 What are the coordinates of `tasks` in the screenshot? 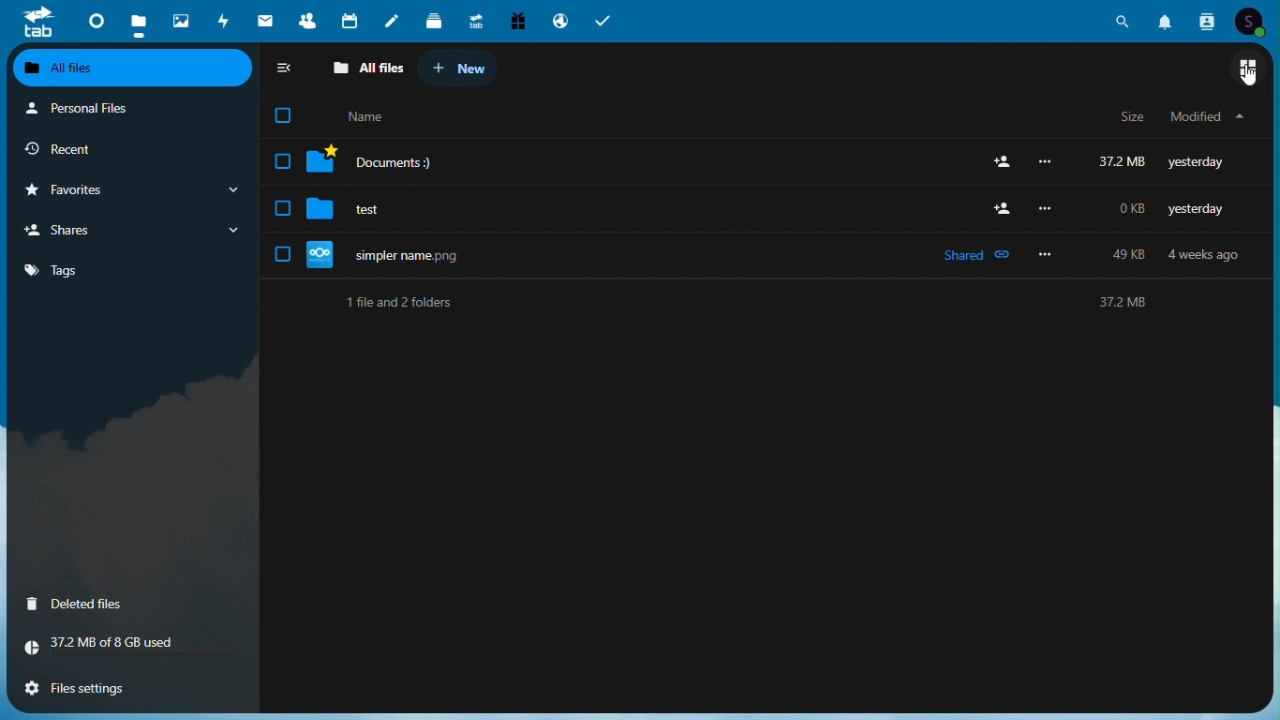 It's located at (603, 19).